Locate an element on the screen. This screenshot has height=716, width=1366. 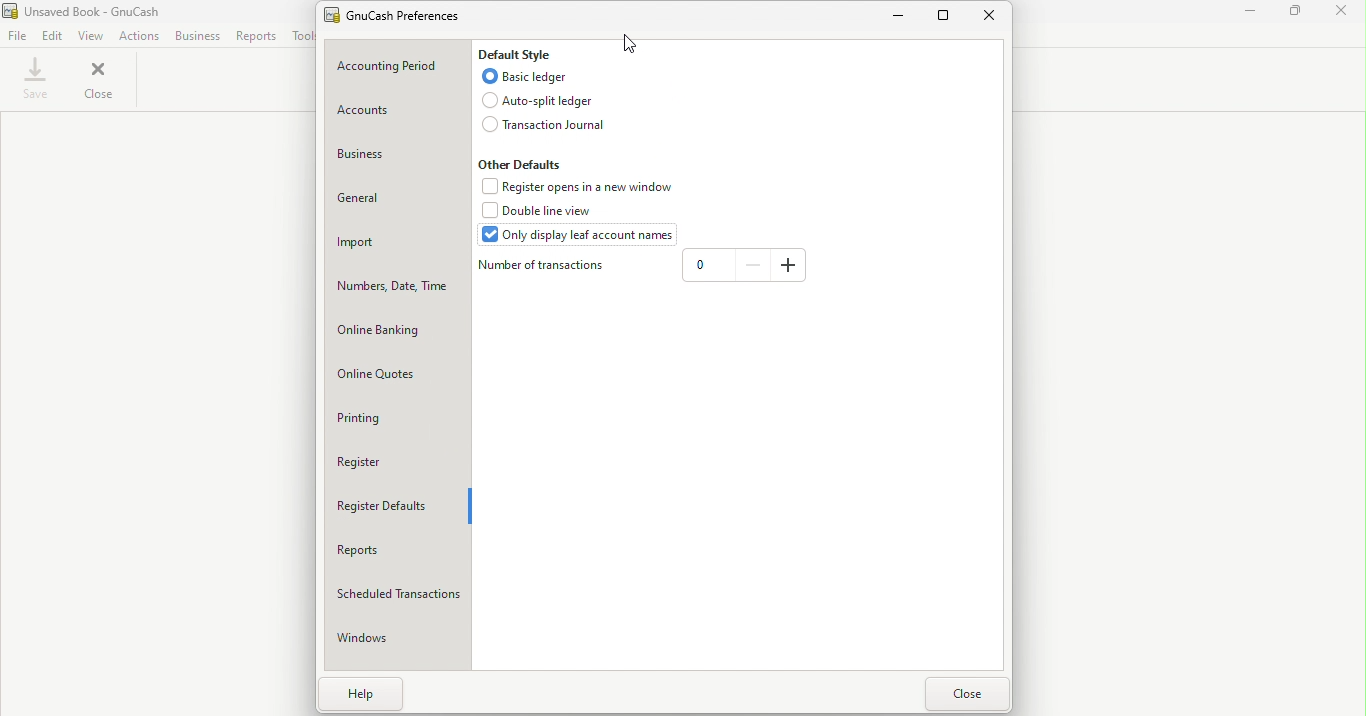
Accounting period is located at coordinates (399, 66).